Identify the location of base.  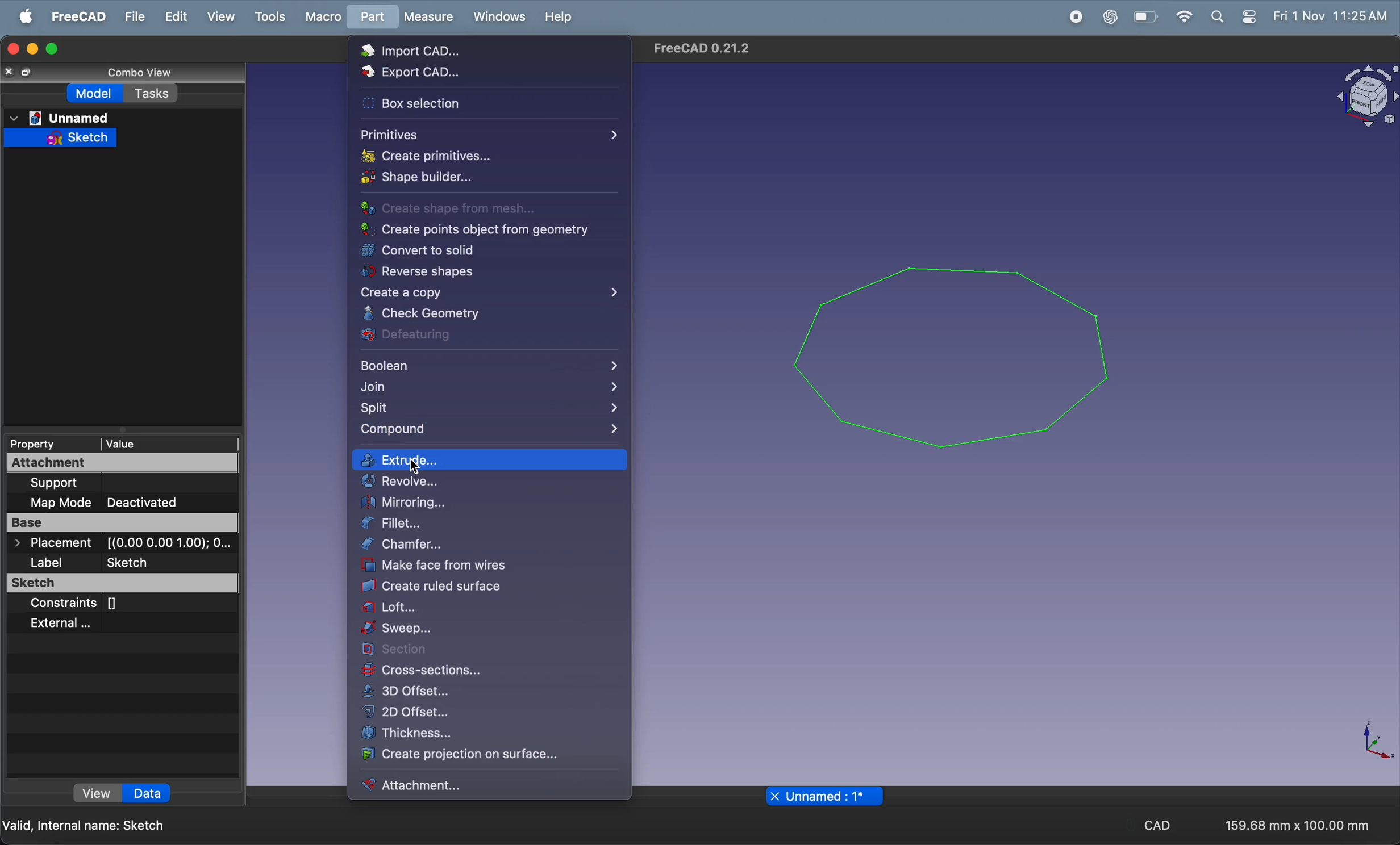
(124, 522).